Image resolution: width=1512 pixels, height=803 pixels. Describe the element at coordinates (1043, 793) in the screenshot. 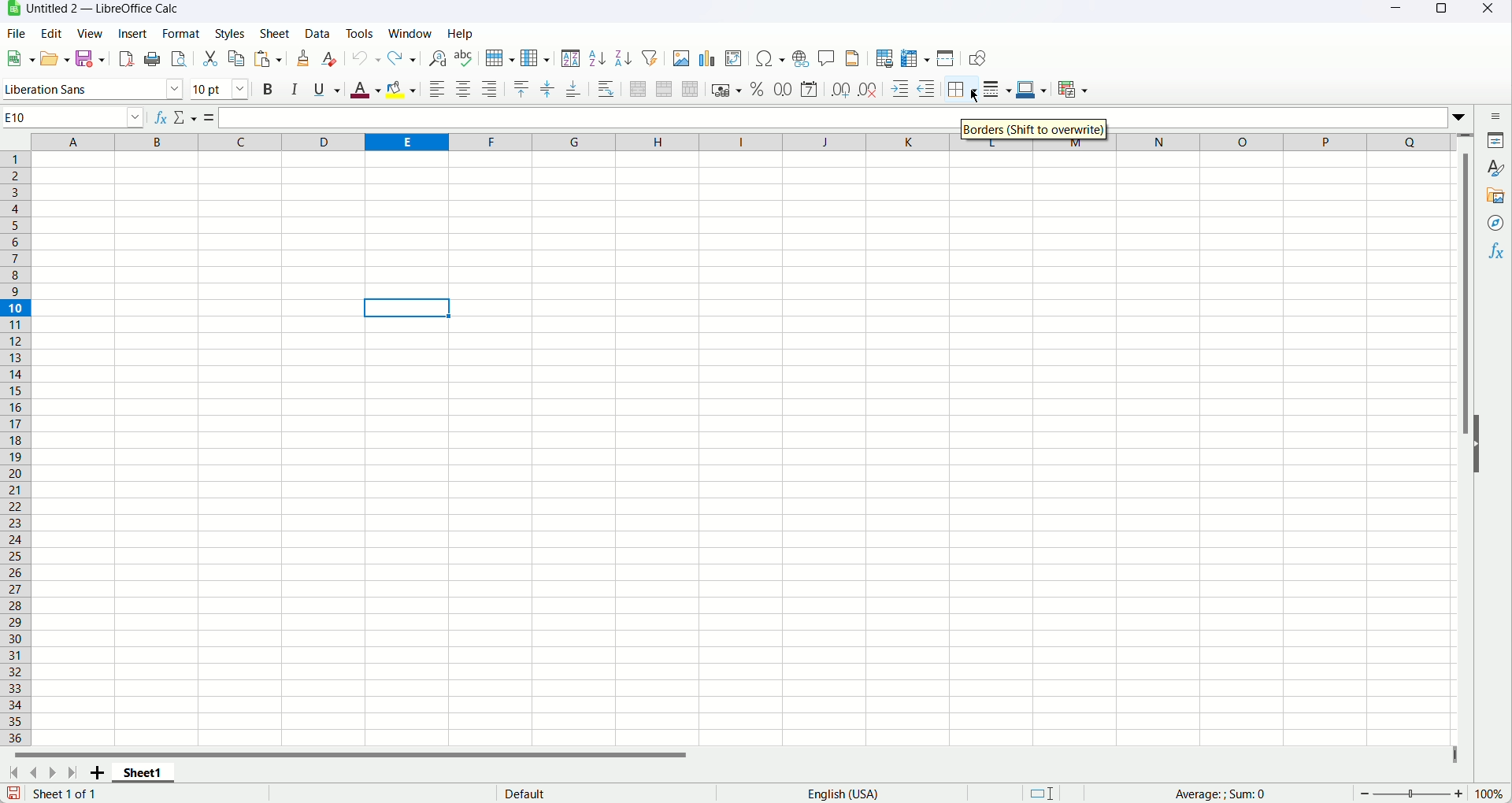

I see `Selection mode` at that location.